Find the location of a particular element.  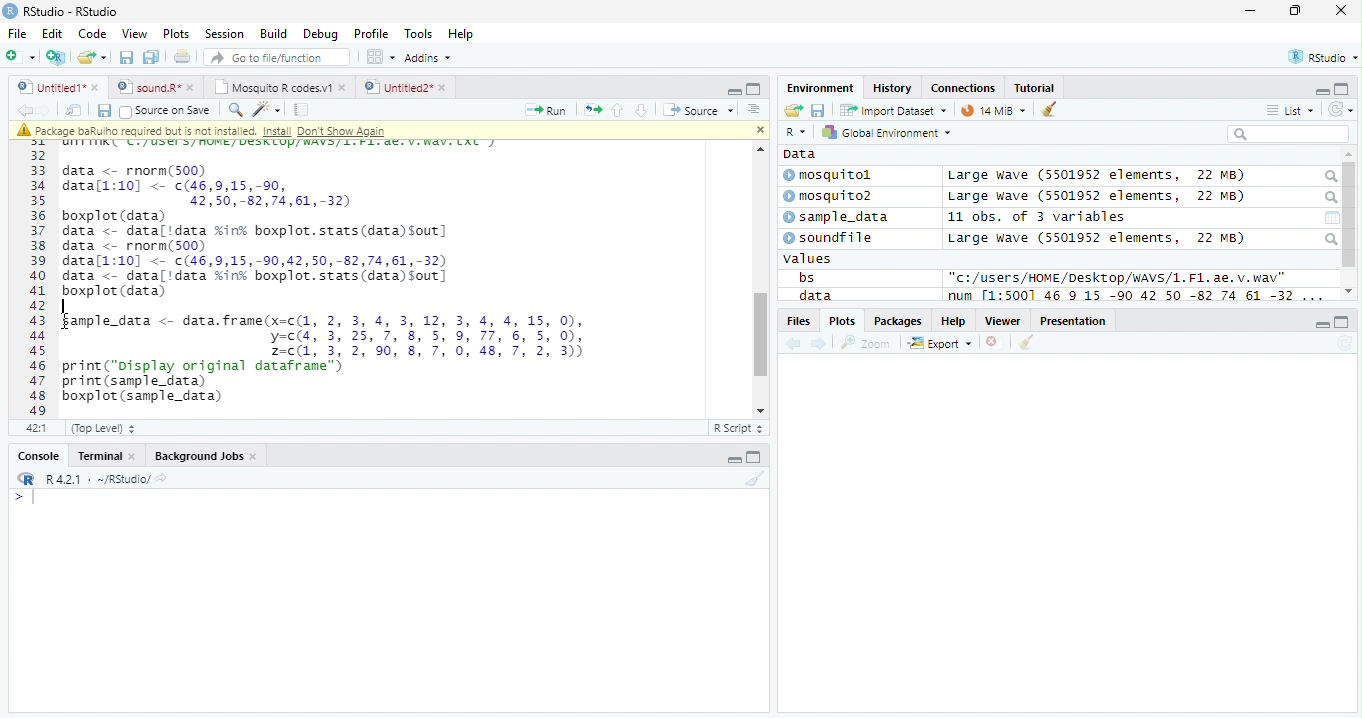

Large wave (5501952 elements, 22 MB) is located at coordinates (1096, 238).